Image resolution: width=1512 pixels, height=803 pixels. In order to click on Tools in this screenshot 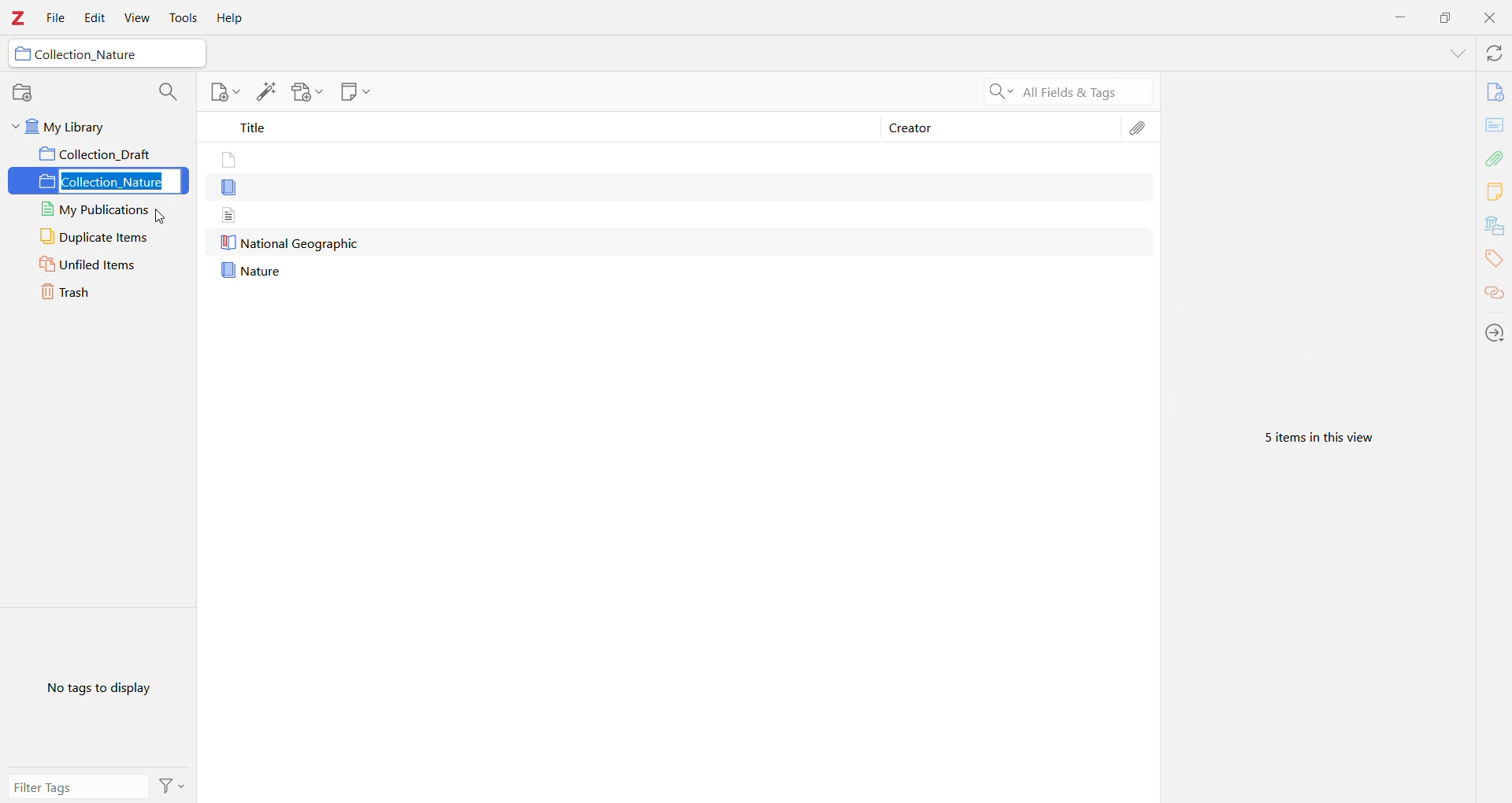, I will do `click(183, 18)`.